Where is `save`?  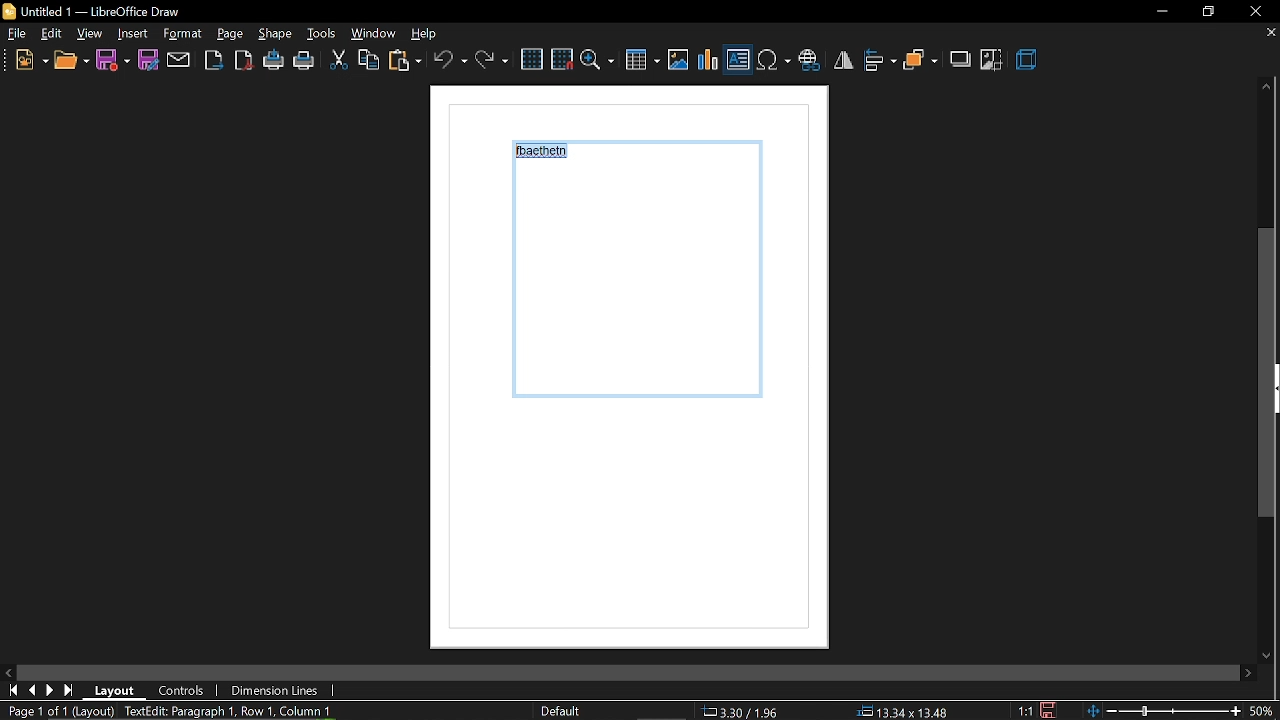
save is located at coordinates (1054, 708).